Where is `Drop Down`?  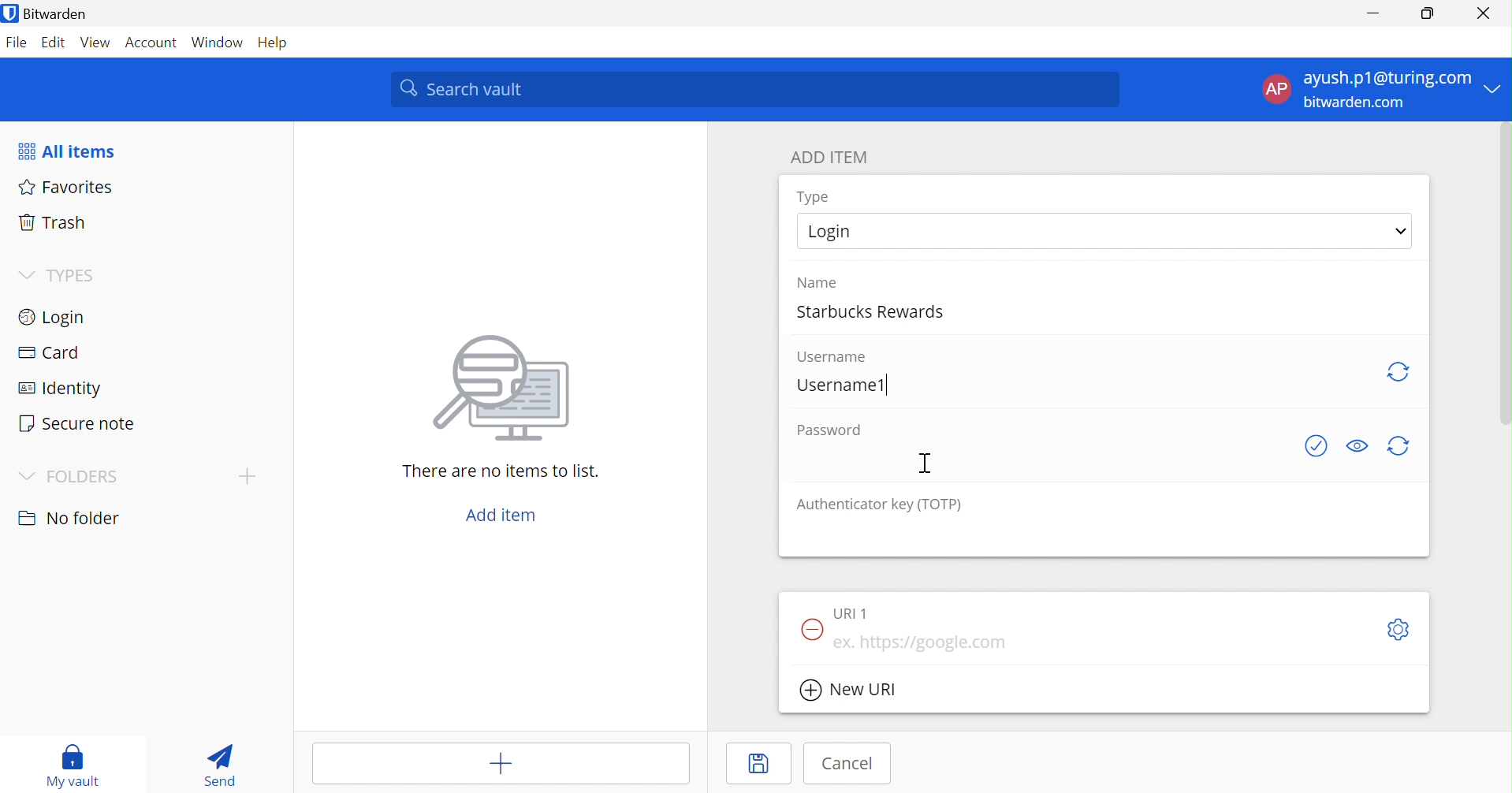
Drop Down is located at coordinates (1496, 87).